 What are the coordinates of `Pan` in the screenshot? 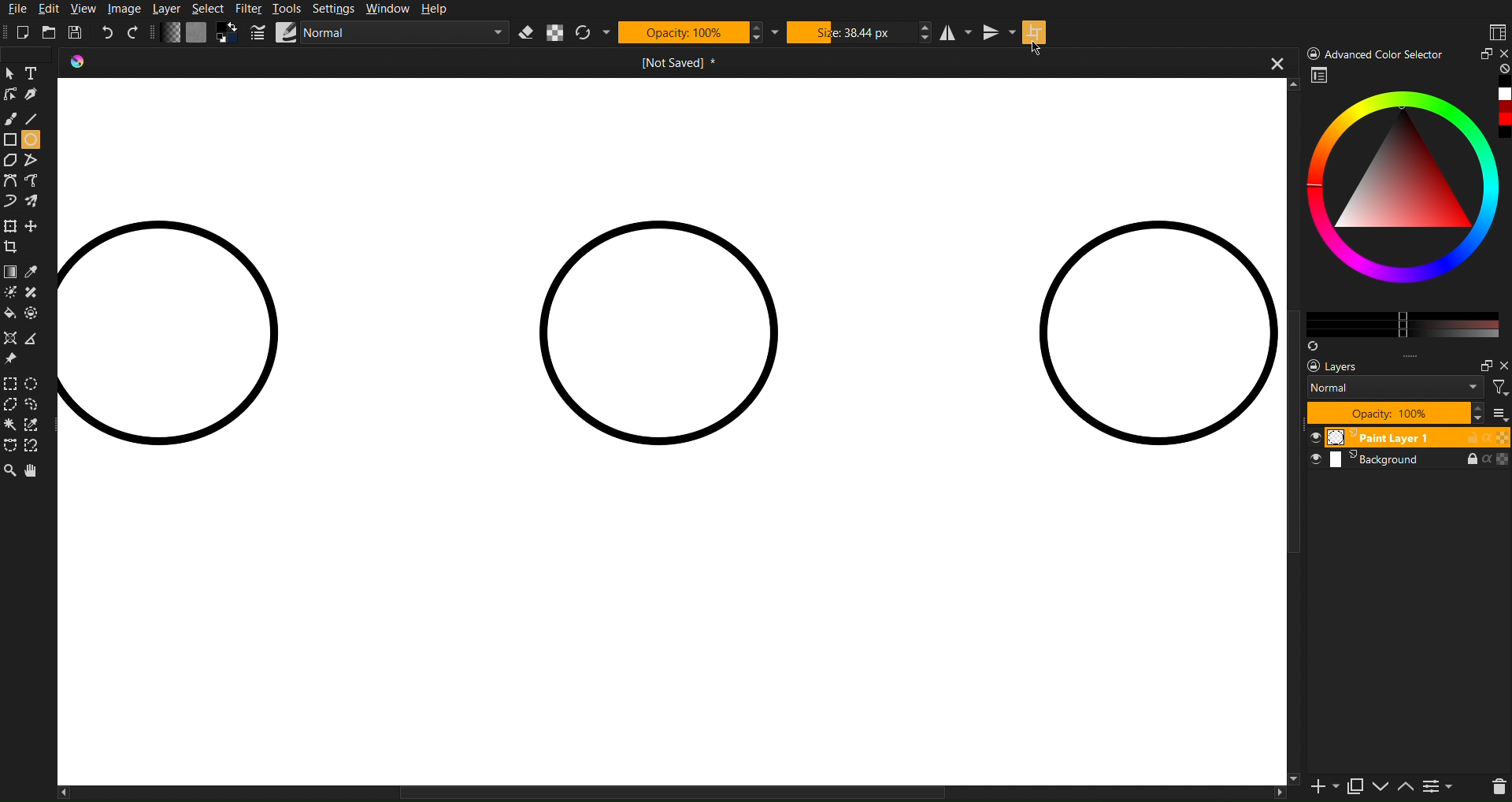 It's located at (39, 470).